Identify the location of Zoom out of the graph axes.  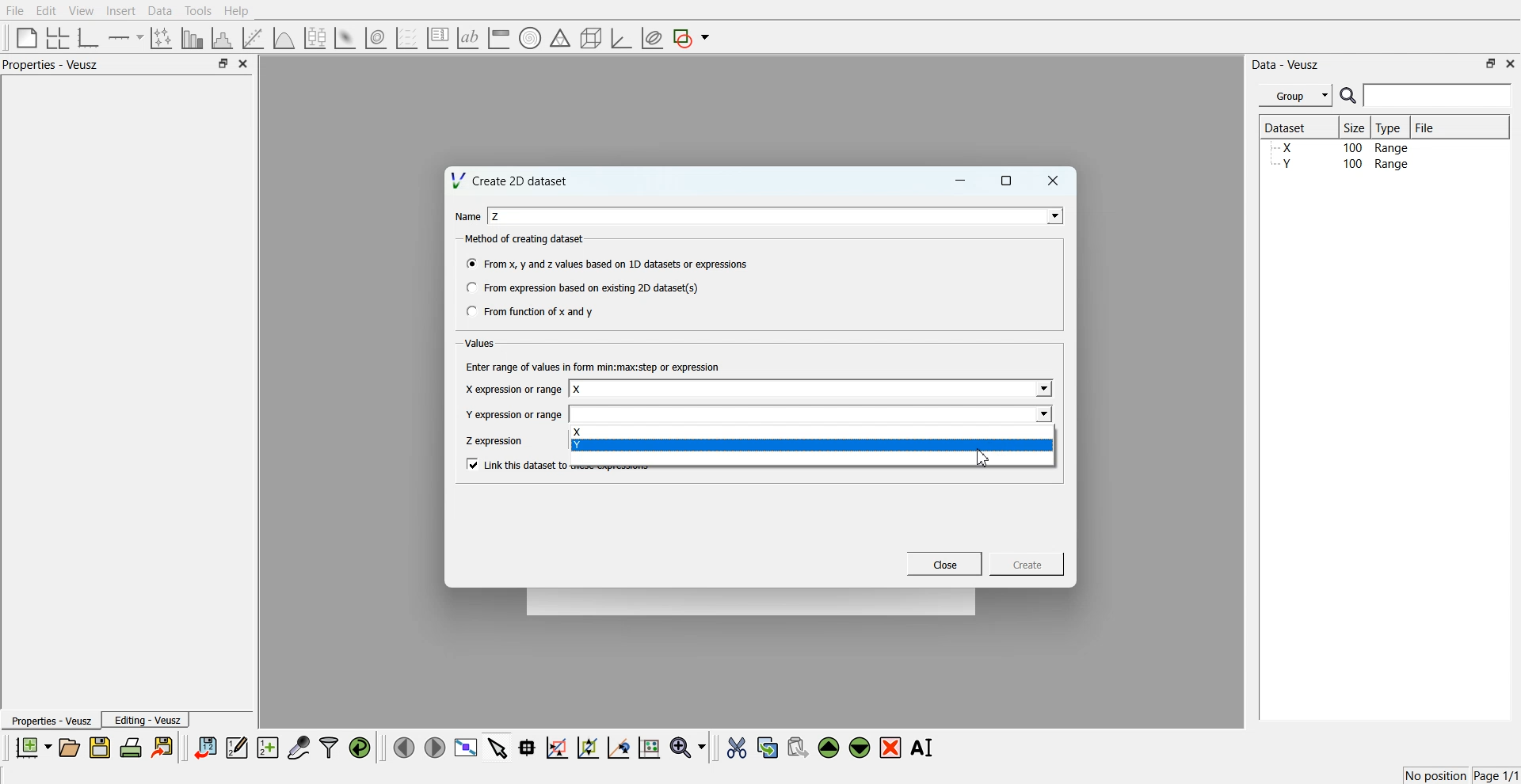
(588, 747).